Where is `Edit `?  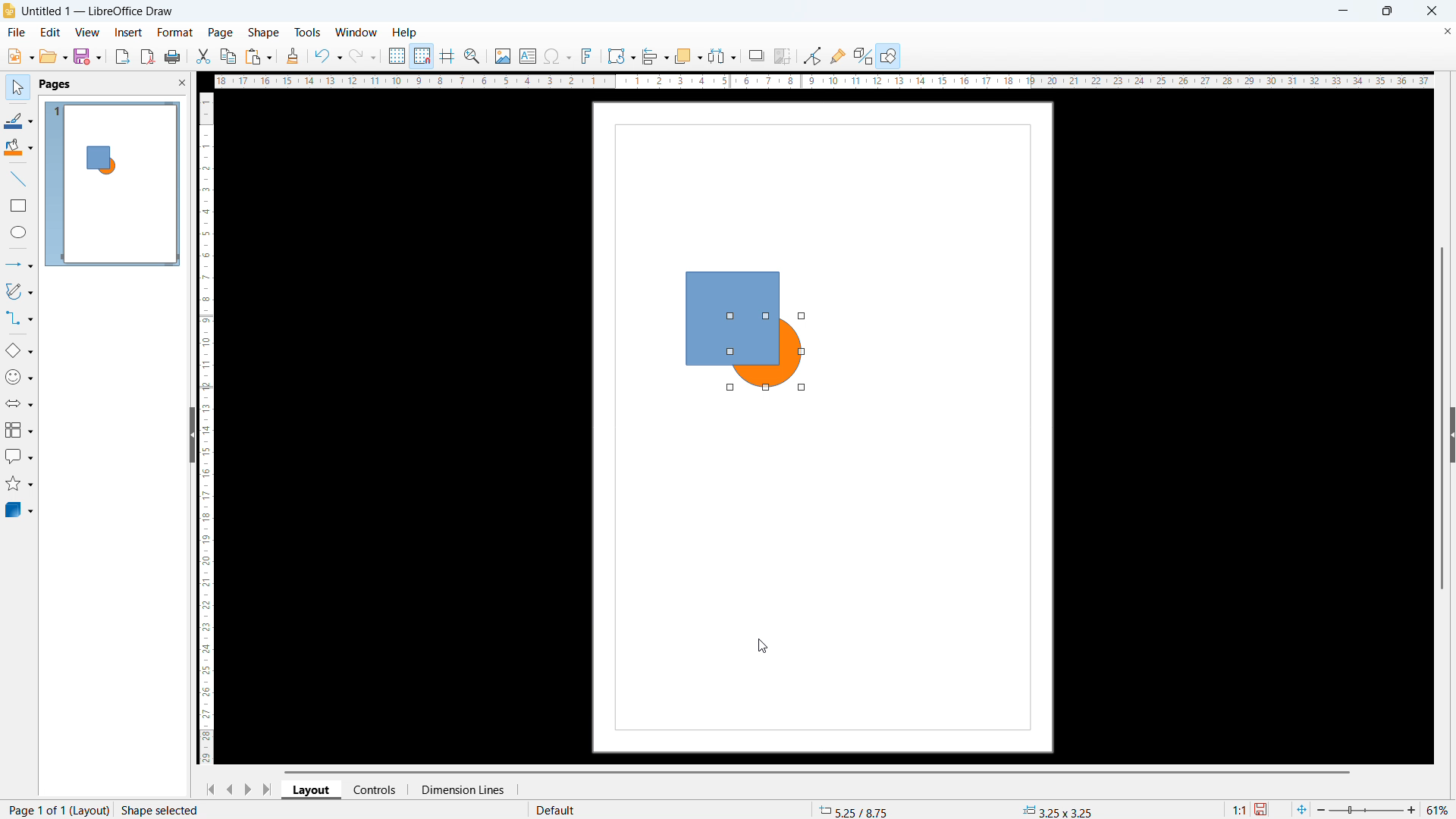 Edit  is located at coordinates (51, 32).